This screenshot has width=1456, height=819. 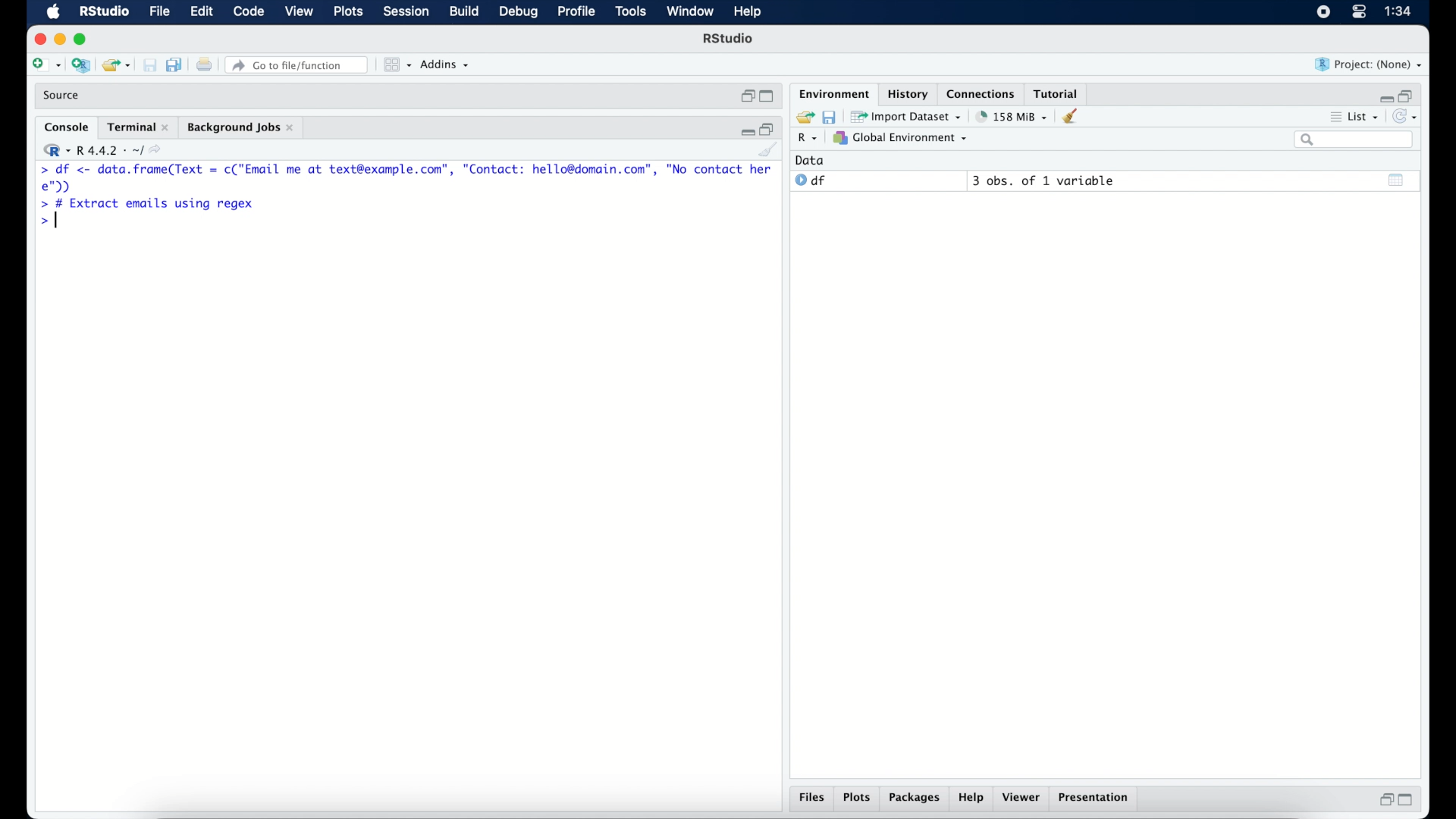 I want to click on background jobs, so click(x=243, y=128).